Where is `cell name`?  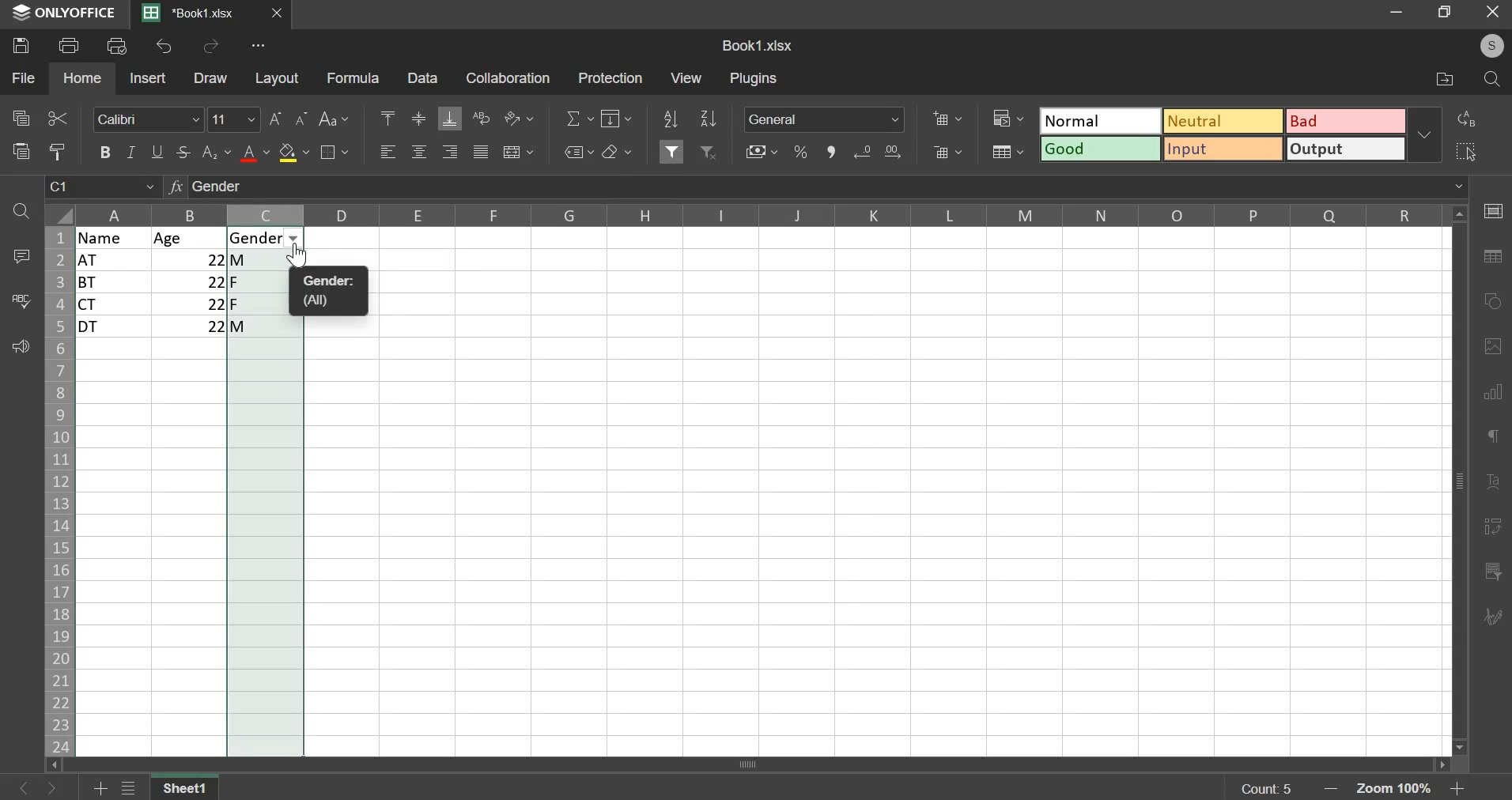 cell name is located at coordinates (103, 190).